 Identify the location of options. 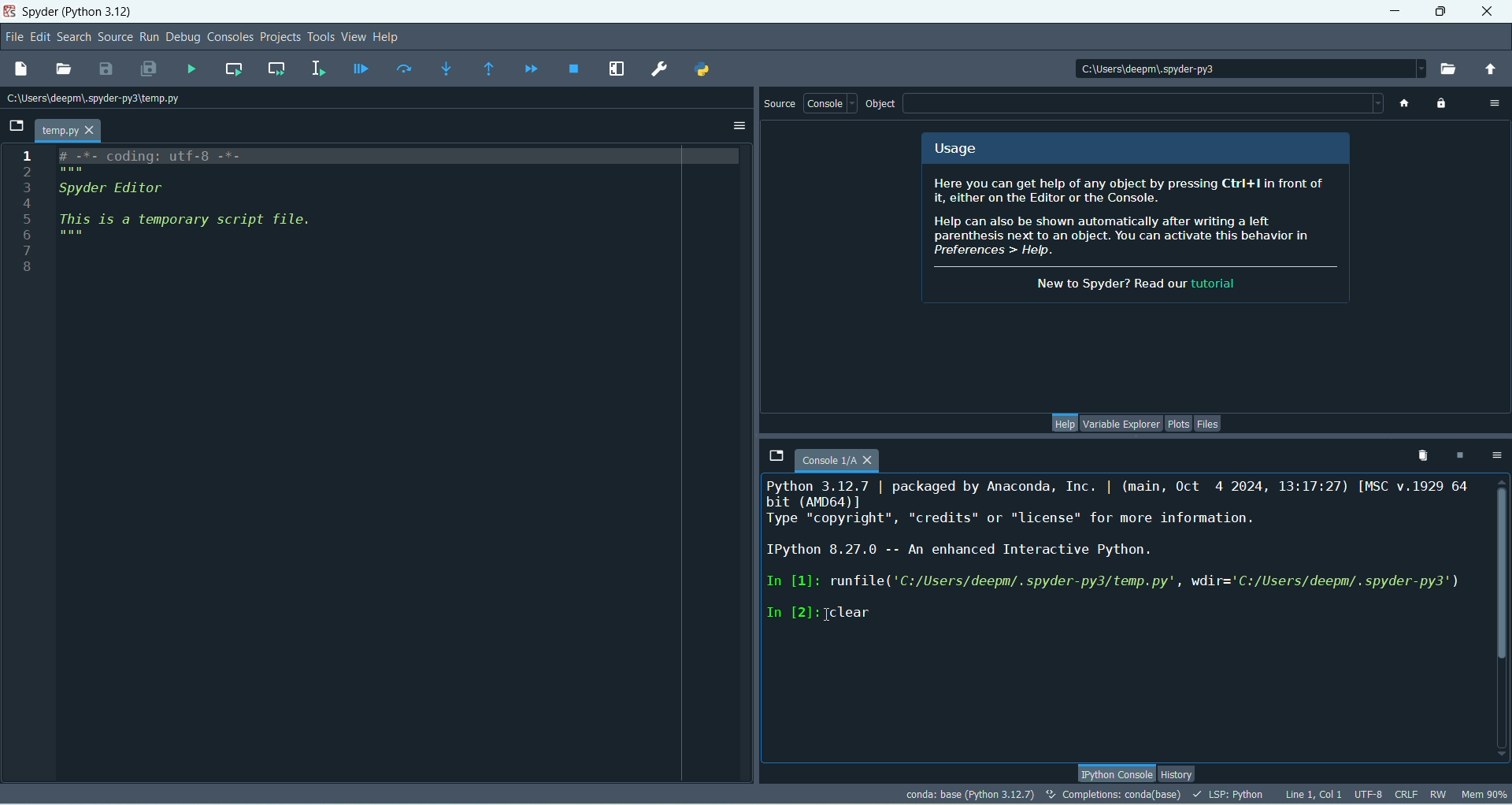
(739, 126).